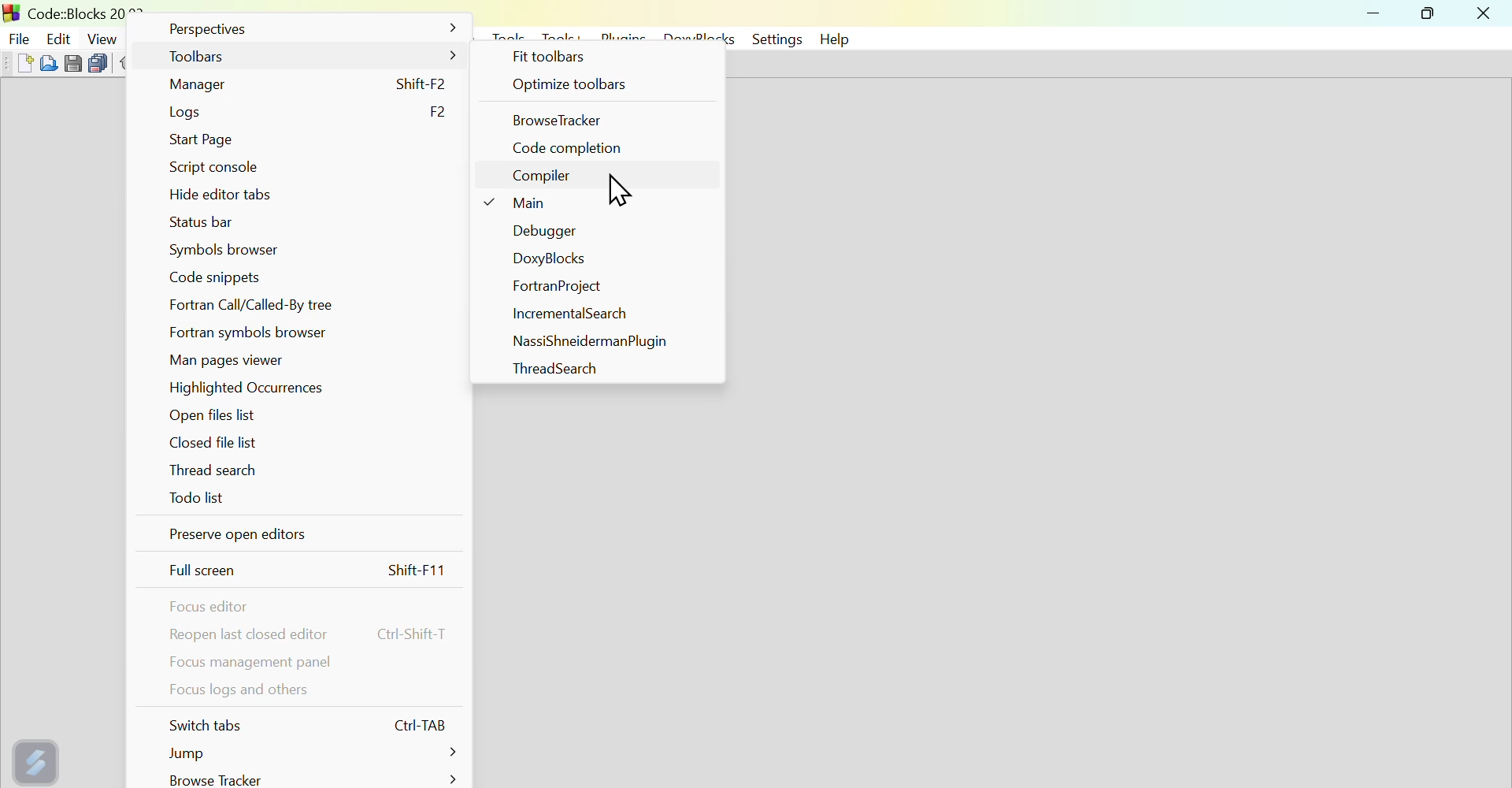  I want to click on Hide editor tabs, so click(217, 196).